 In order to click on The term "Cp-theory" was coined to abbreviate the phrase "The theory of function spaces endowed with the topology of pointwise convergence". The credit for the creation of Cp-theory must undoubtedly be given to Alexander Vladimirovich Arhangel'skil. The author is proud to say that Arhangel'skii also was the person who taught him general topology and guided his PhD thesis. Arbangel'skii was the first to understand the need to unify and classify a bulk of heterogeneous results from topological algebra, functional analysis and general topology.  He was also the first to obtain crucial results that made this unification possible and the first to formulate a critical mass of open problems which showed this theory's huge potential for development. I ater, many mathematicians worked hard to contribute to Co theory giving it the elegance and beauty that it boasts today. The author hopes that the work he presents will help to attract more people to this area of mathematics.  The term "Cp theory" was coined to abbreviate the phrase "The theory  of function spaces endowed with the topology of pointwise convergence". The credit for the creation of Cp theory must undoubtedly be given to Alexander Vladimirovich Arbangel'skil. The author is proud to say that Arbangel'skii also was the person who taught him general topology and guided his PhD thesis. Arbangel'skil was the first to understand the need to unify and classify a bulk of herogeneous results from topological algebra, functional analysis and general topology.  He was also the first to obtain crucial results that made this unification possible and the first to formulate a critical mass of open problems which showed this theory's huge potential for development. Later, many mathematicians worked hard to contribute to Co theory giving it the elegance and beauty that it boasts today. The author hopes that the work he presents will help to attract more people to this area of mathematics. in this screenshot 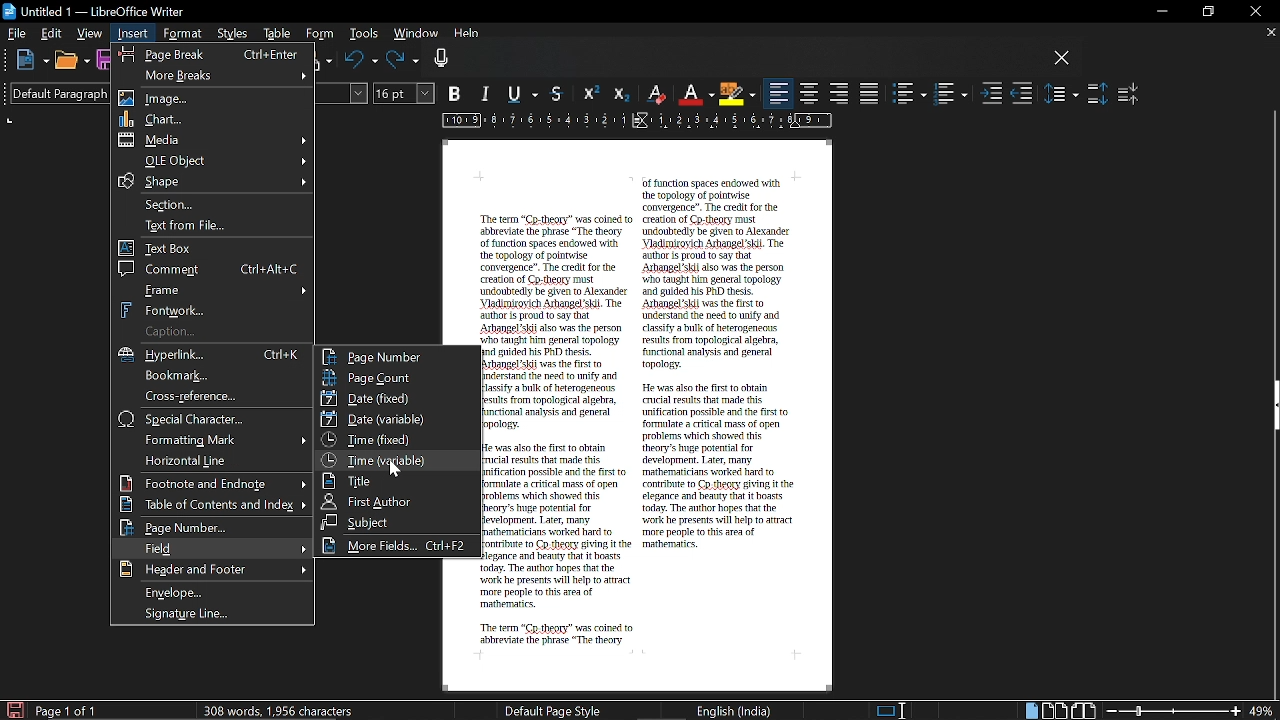, I will do `click(642, 412)`.